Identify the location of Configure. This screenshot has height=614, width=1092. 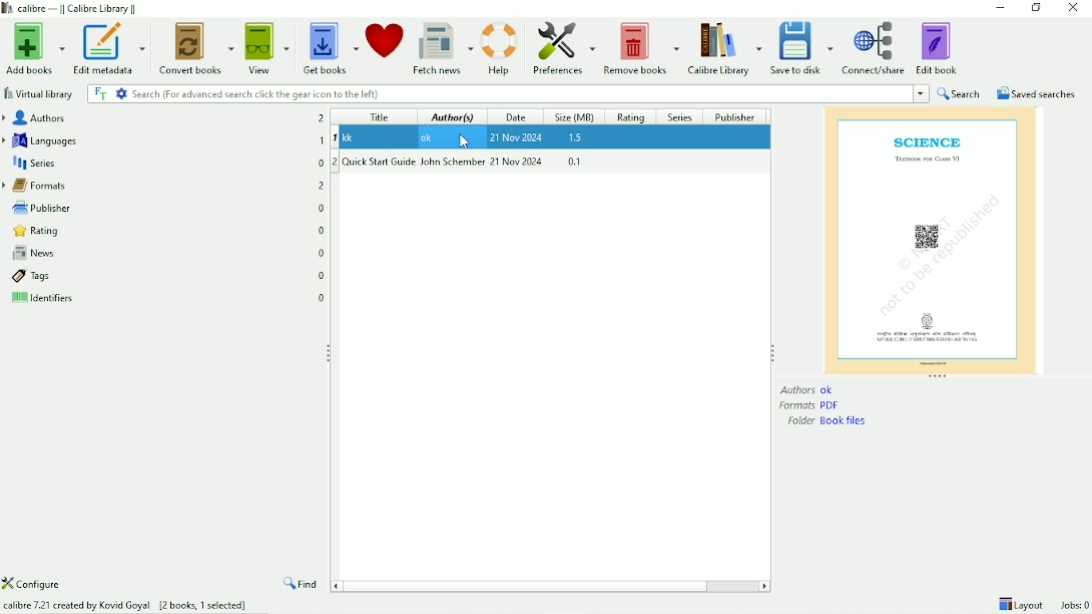
(35, 583).